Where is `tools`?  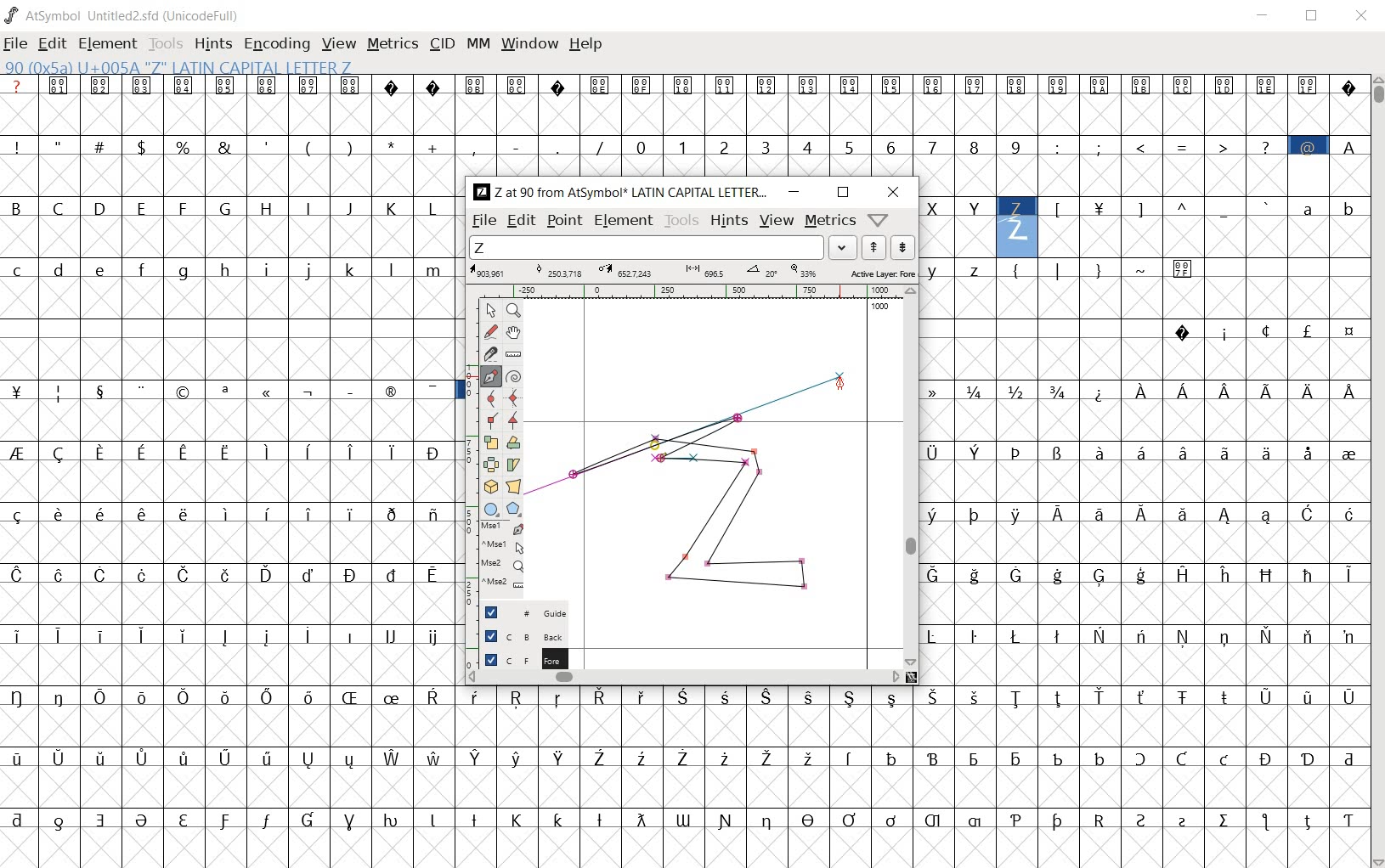 tools is located at coordinates (682, 221).